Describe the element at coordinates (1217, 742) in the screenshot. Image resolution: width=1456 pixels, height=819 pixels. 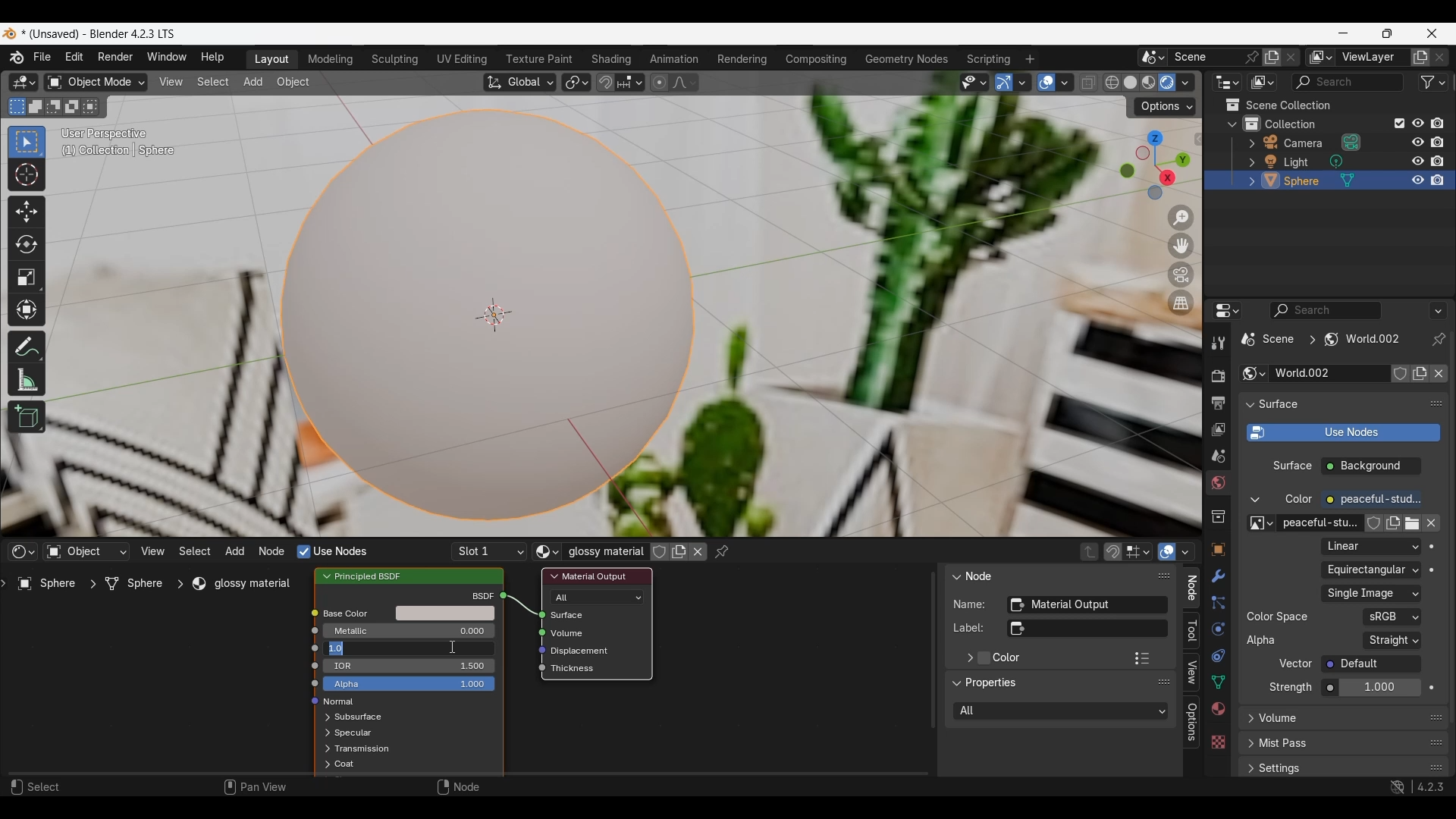
I see `Texture properties` at that location.